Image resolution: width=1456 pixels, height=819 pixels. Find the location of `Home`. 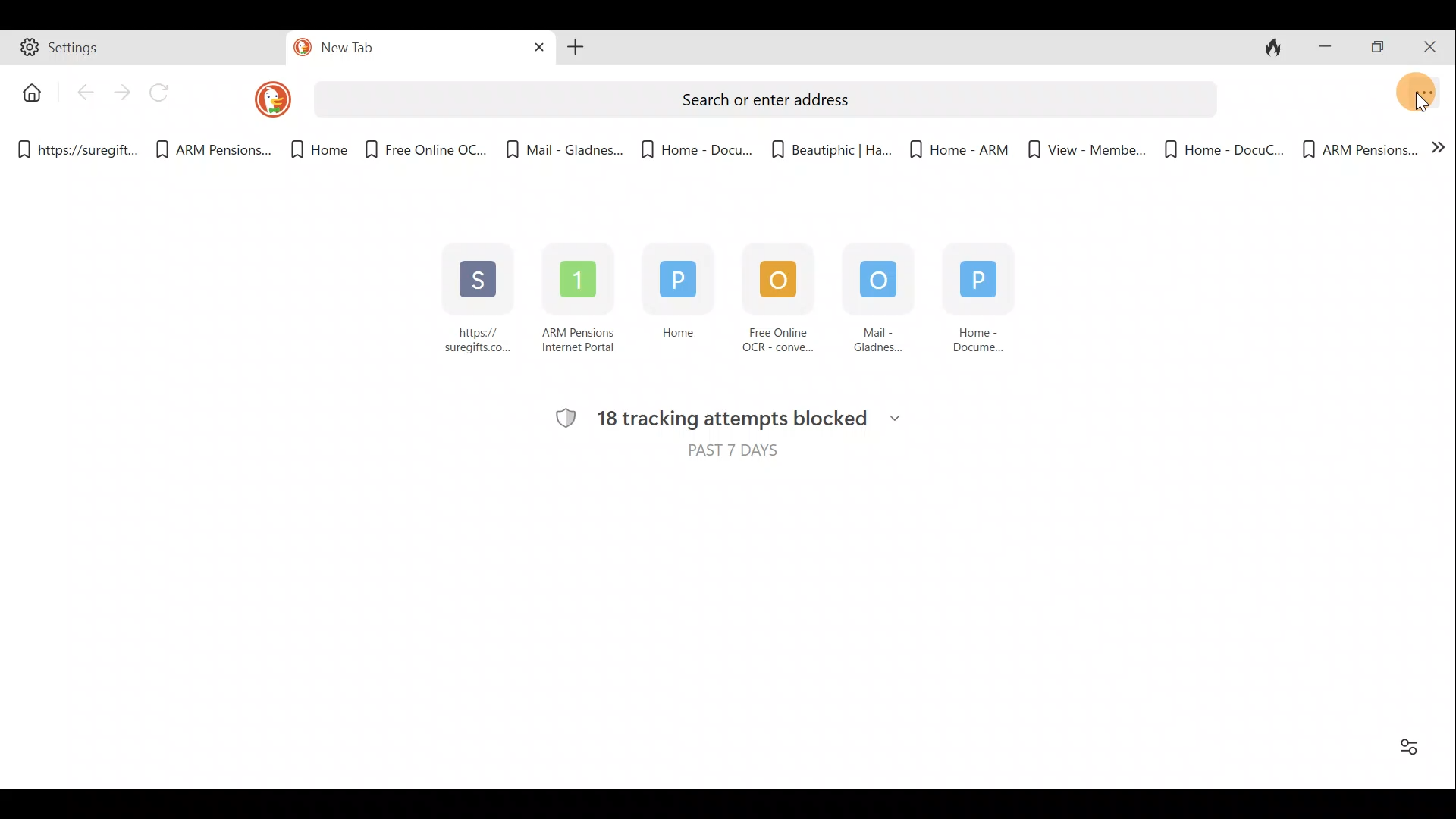

Home is located at coordinates (673, 305).